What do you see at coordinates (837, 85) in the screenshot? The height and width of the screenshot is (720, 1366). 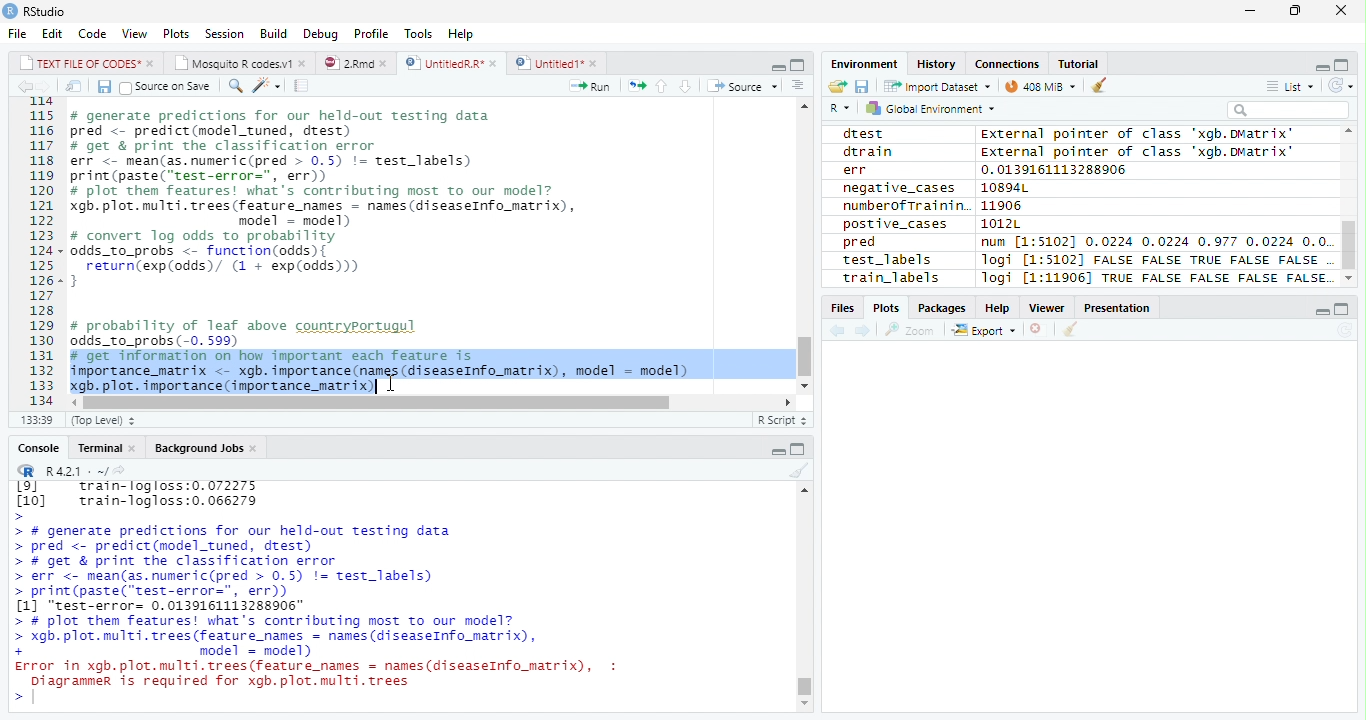 I see `Open folder` at bounding box center [837, 85].